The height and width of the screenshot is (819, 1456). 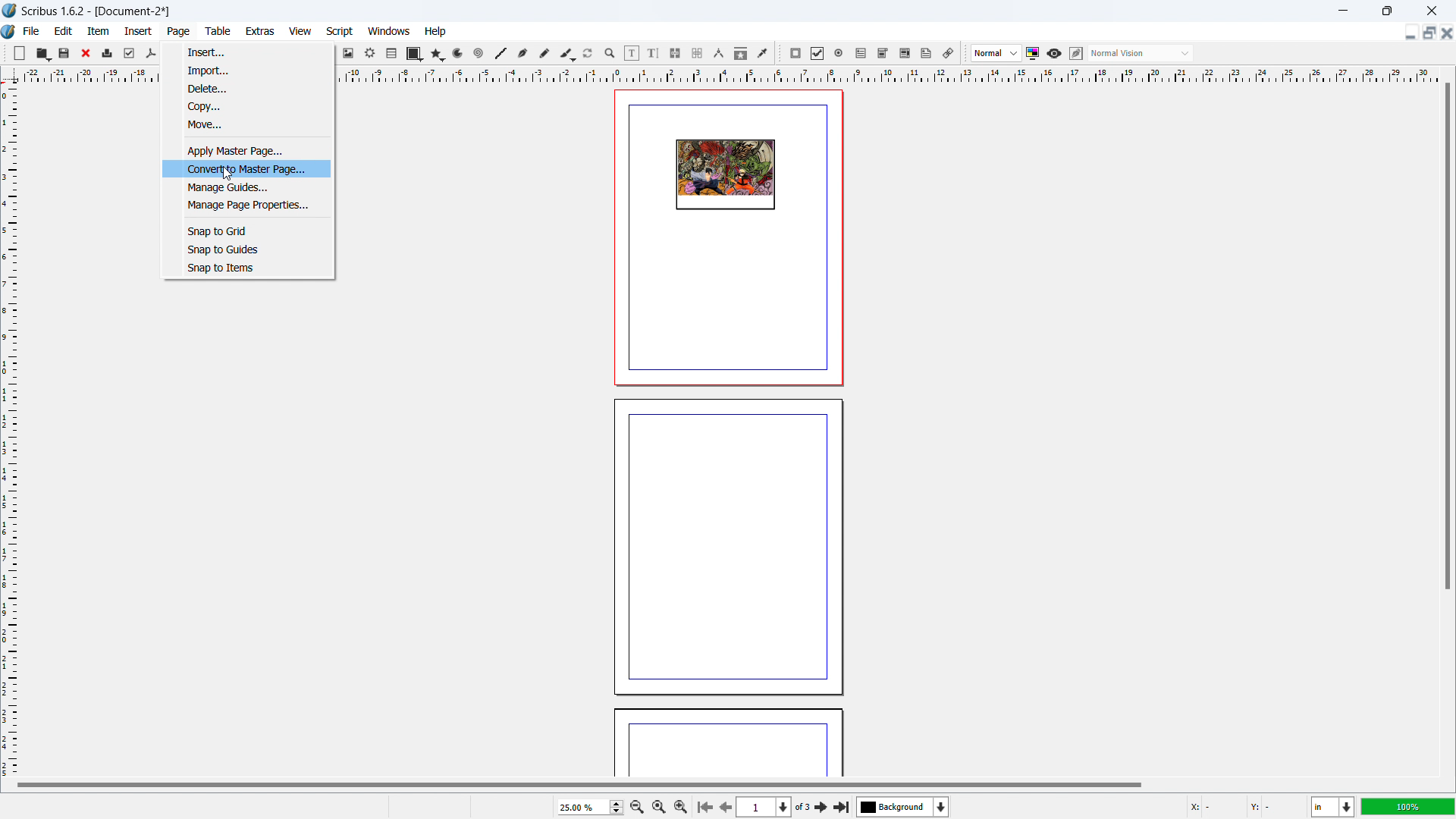 I want to click on unit of measurement, so click(x=1333, y=808).